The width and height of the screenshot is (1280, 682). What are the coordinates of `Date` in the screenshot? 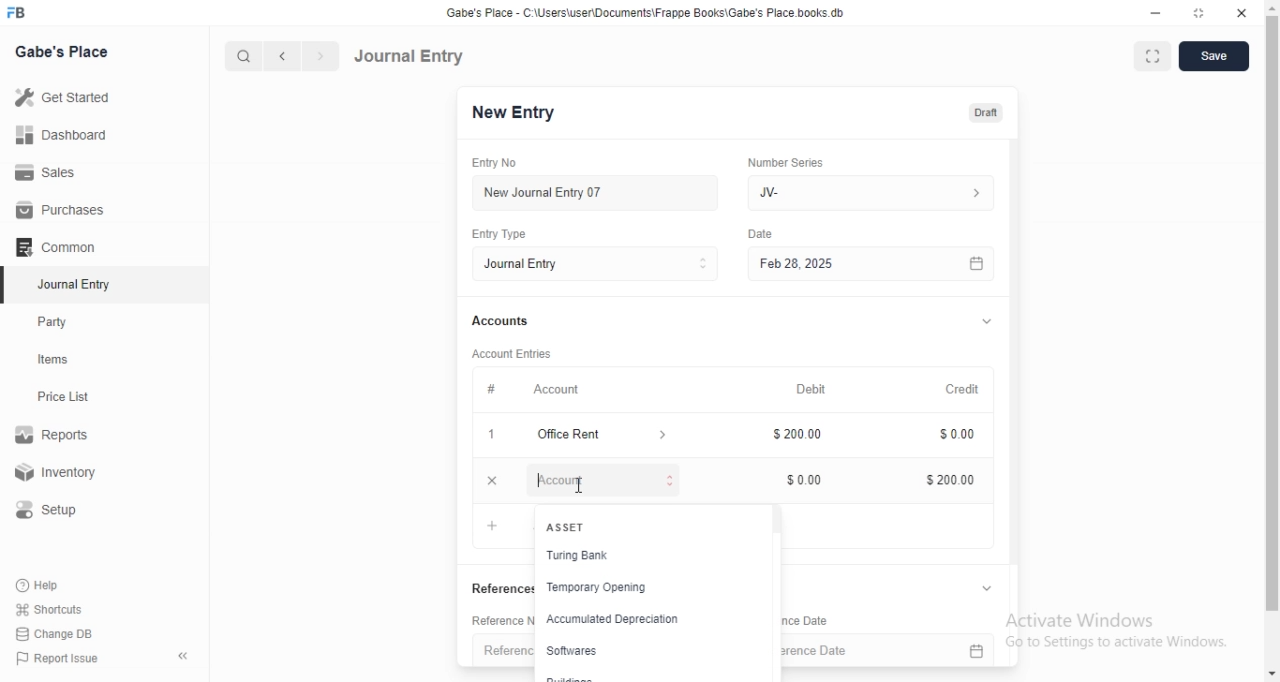 It's located at (770, 233).